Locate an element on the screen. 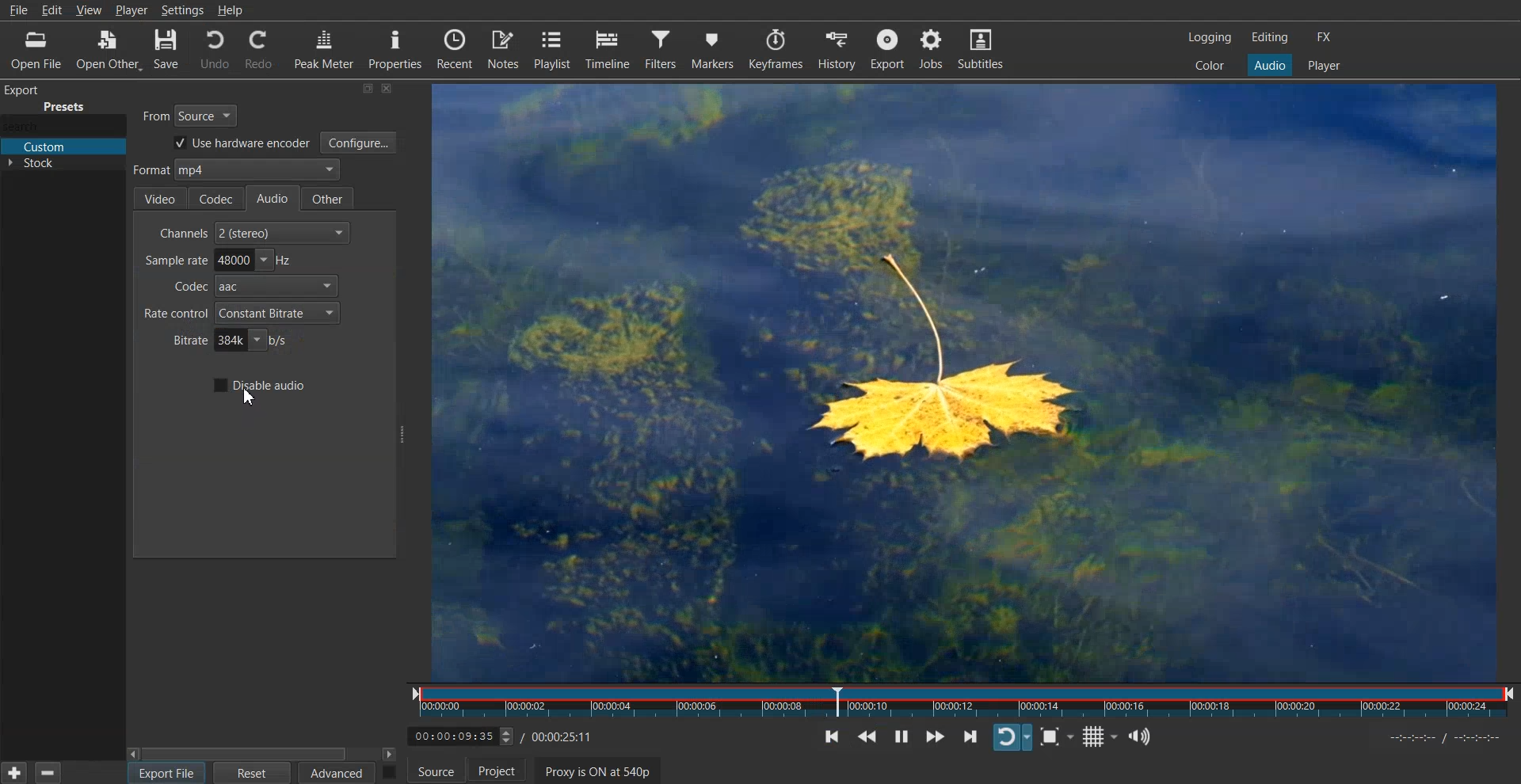 The height and width of the screenshot is (784, 1521). Show the volume control is located at coordinates (1144, 736).